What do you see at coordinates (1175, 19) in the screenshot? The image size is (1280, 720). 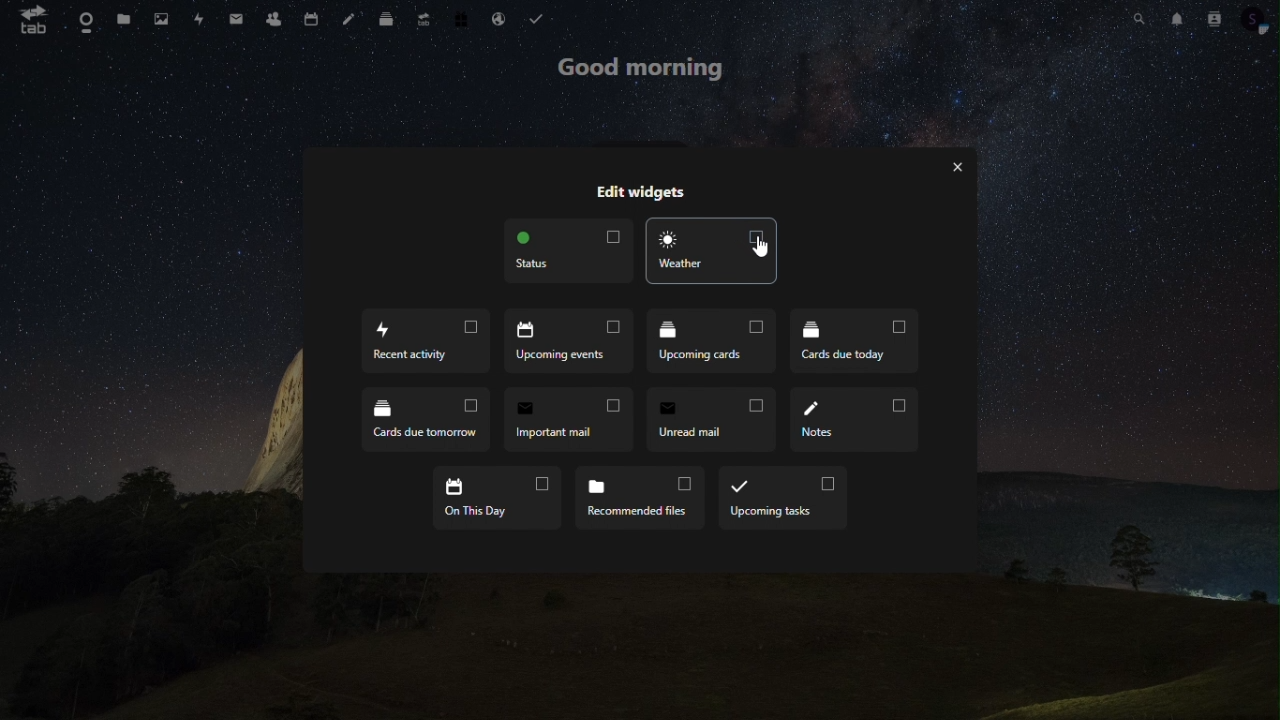 I see `notification` at bounding box center [1175, 19].